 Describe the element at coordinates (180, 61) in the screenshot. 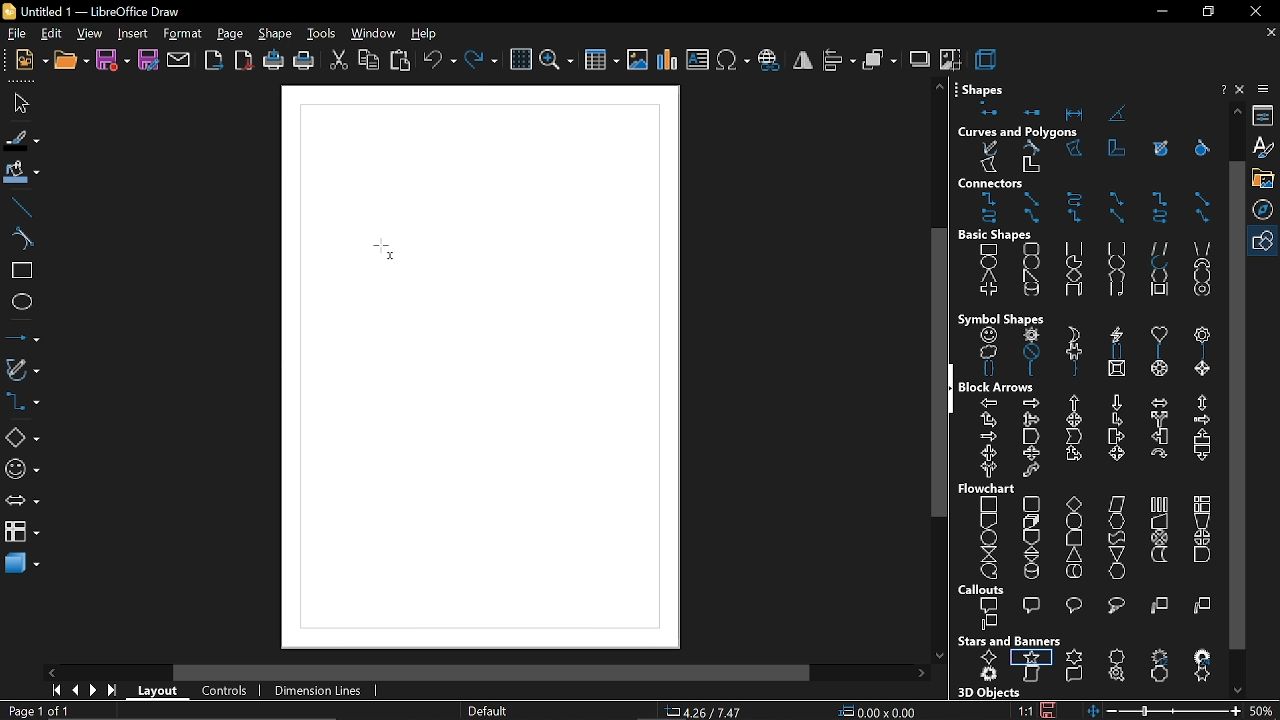

I see `attach` at that location.